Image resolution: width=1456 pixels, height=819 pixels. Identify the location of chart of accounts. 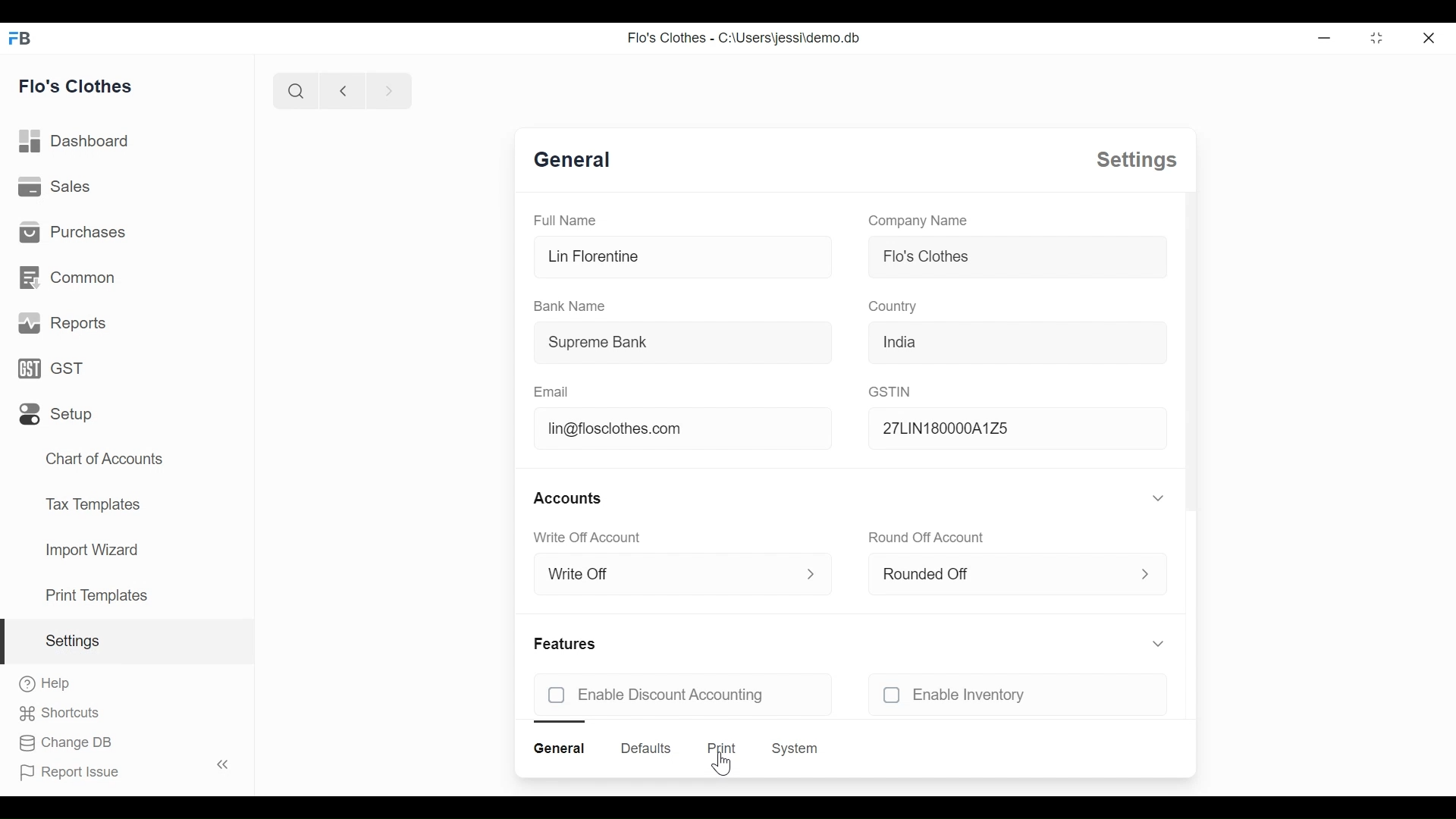
(106, 460).